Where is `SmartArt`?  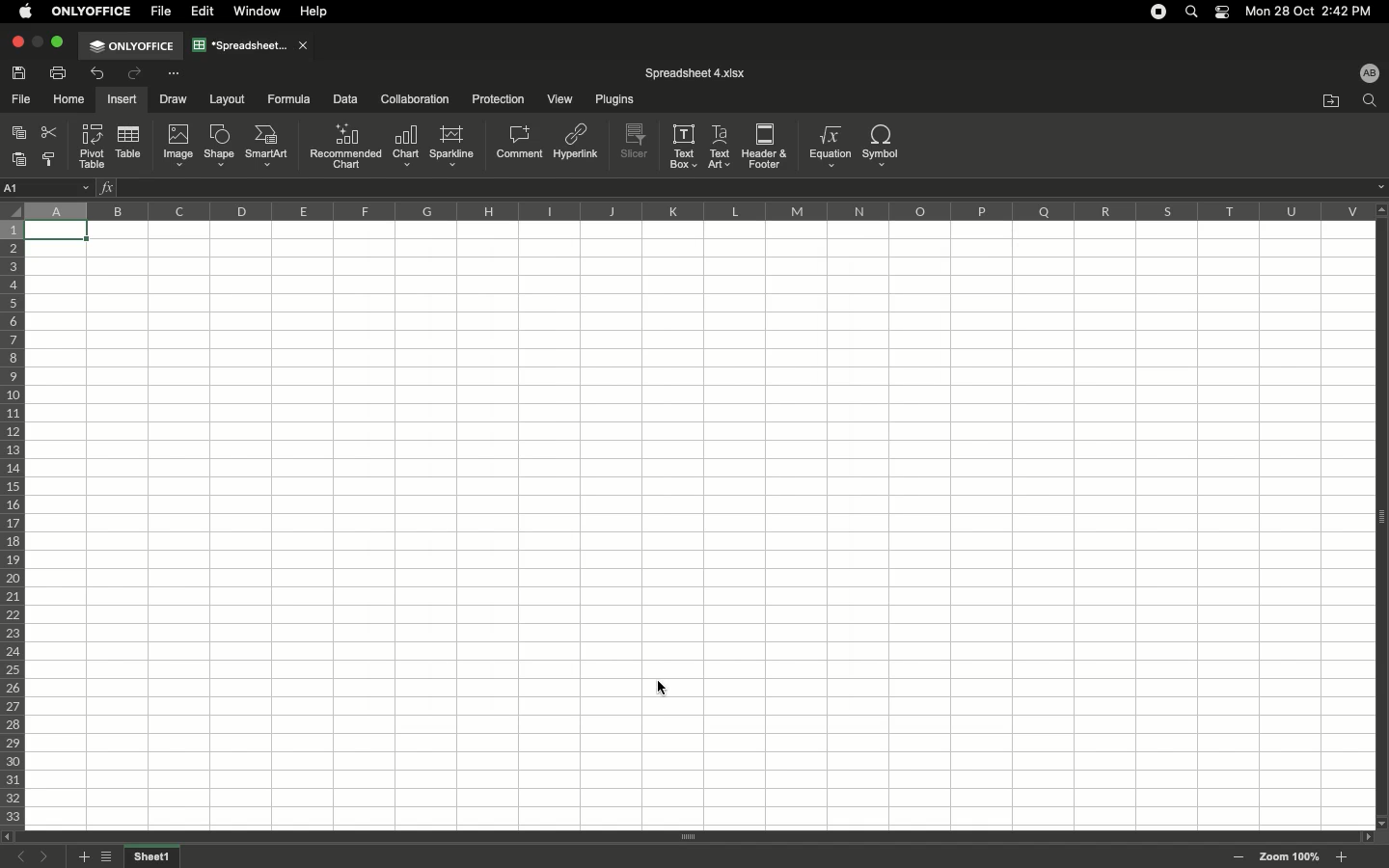
SmartArt is located at coordinates (269, 147).